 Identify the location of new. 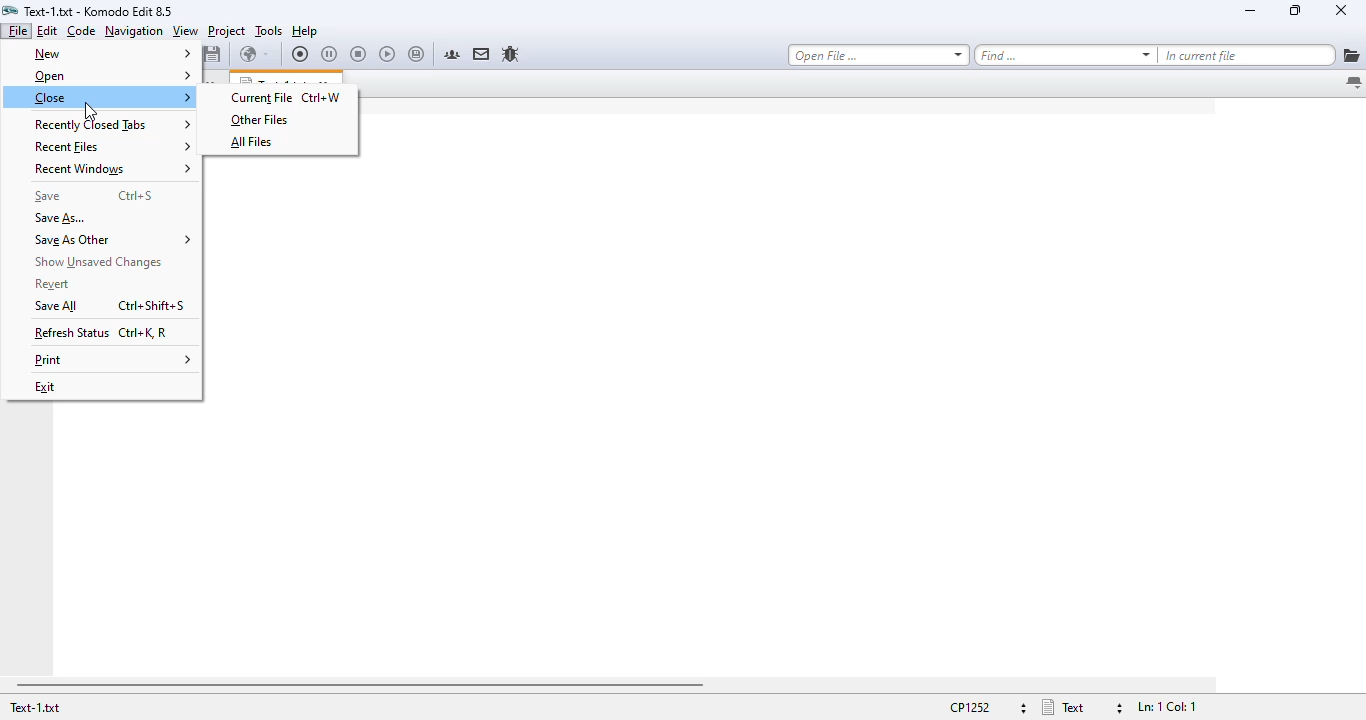
(112, 53).